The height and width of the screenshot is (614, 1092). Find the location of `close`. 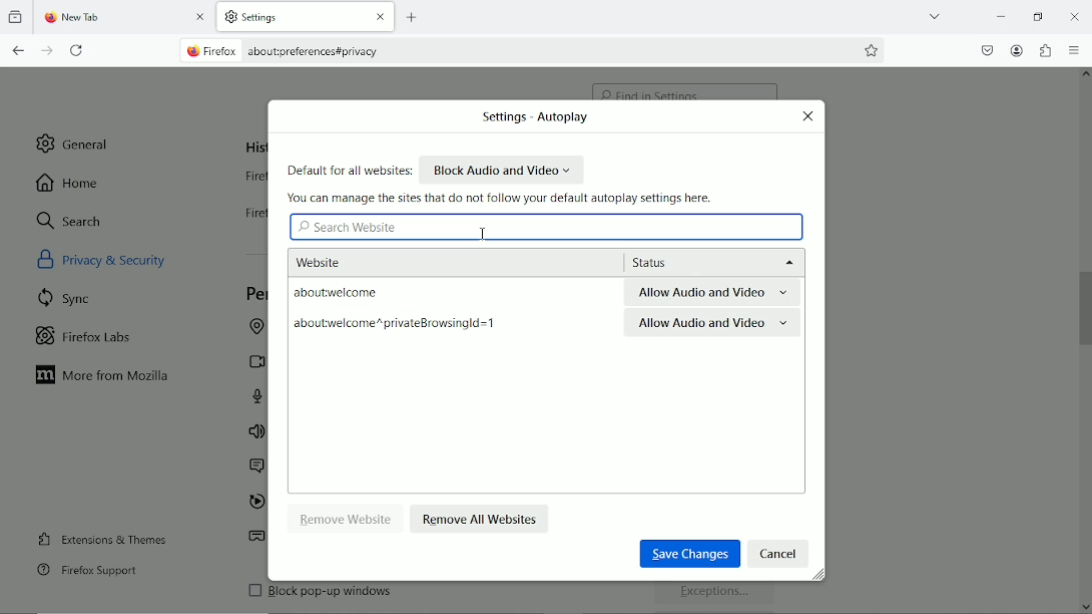

close is located at coordinates (808, 116).